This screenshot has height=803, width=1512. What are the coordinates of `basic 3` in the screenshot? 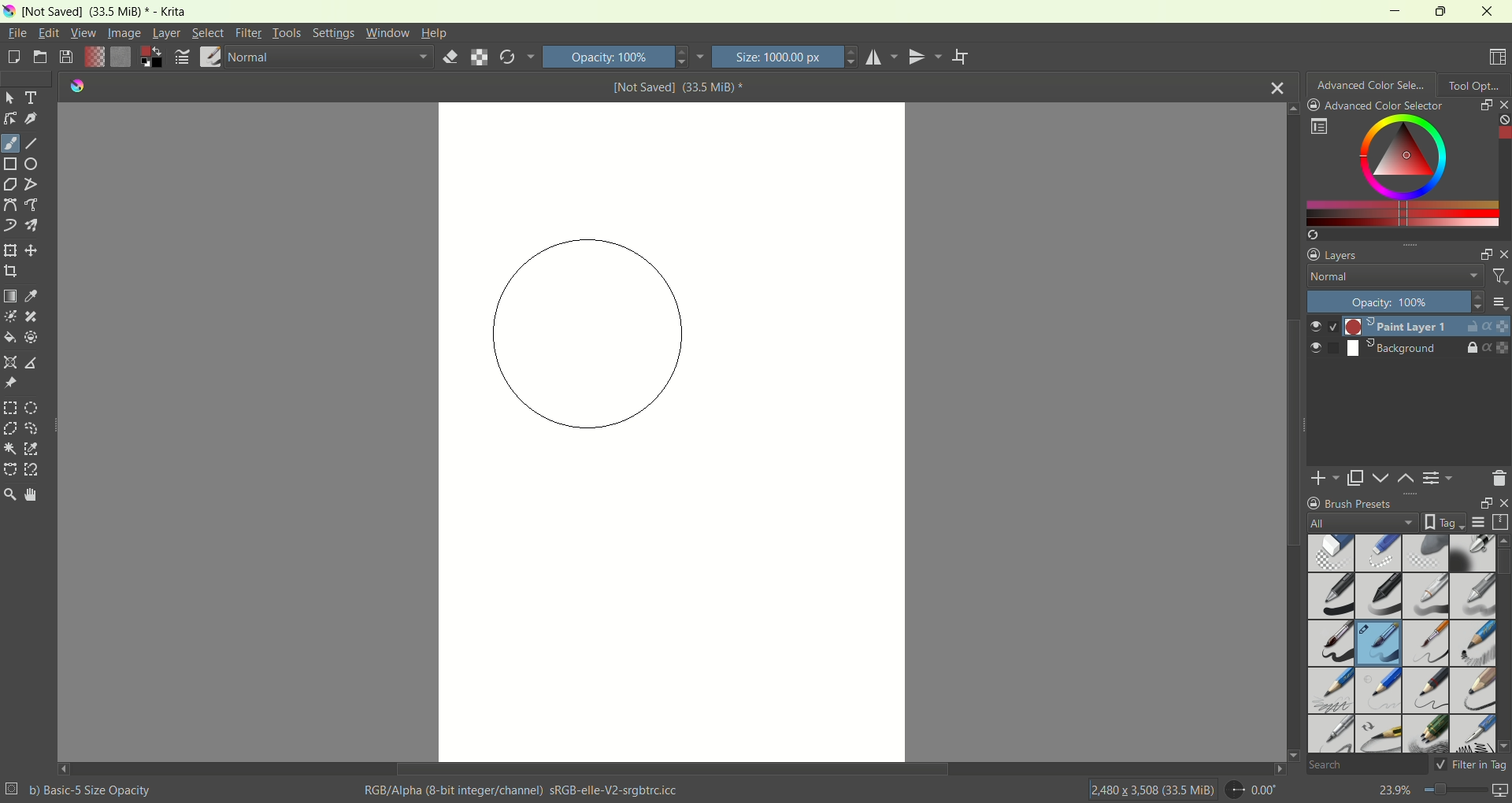 It's located at (1425, 598).